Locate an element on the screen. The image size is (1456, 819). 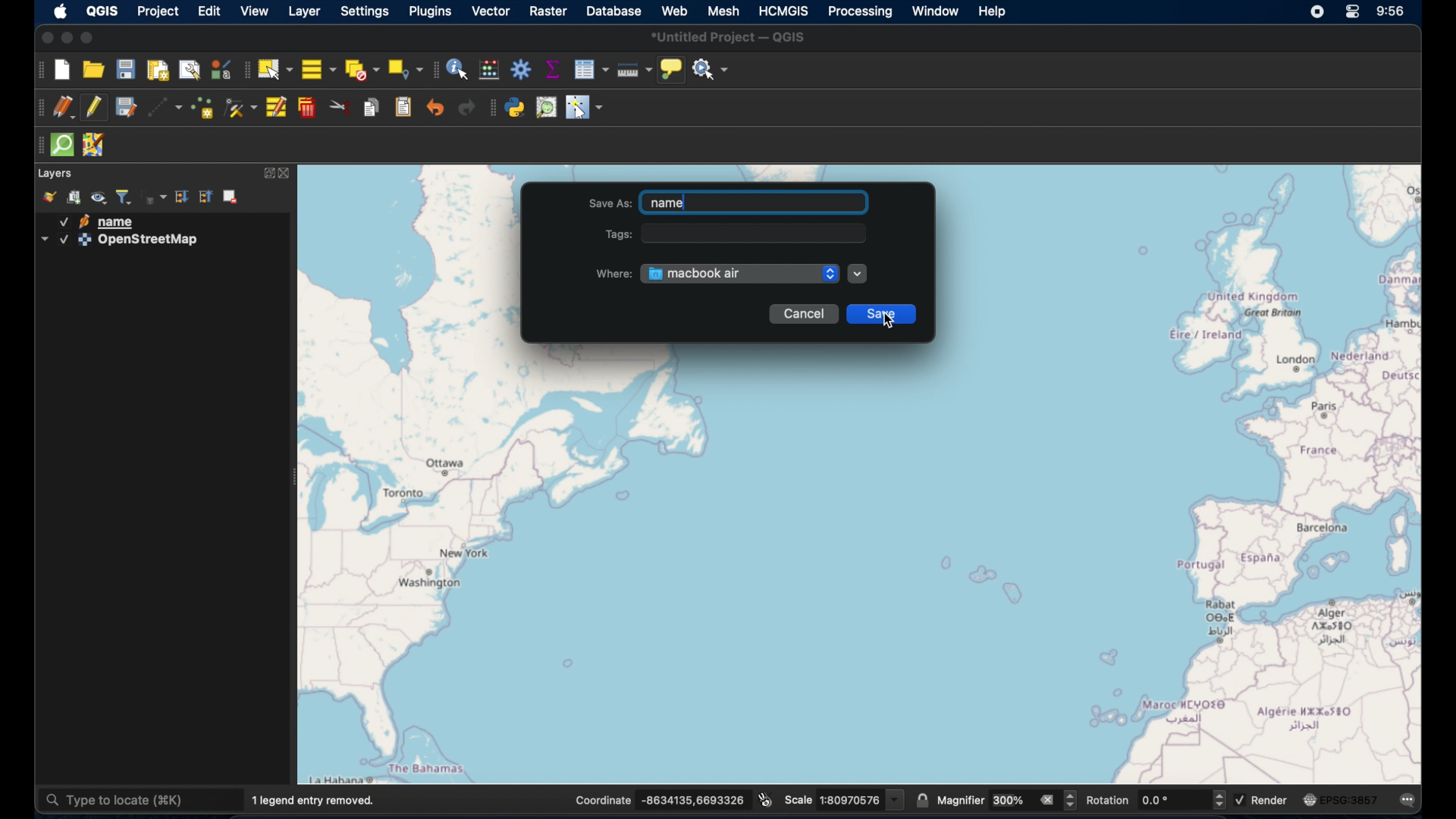
HCMGIS is located at coordinates (783, 11).